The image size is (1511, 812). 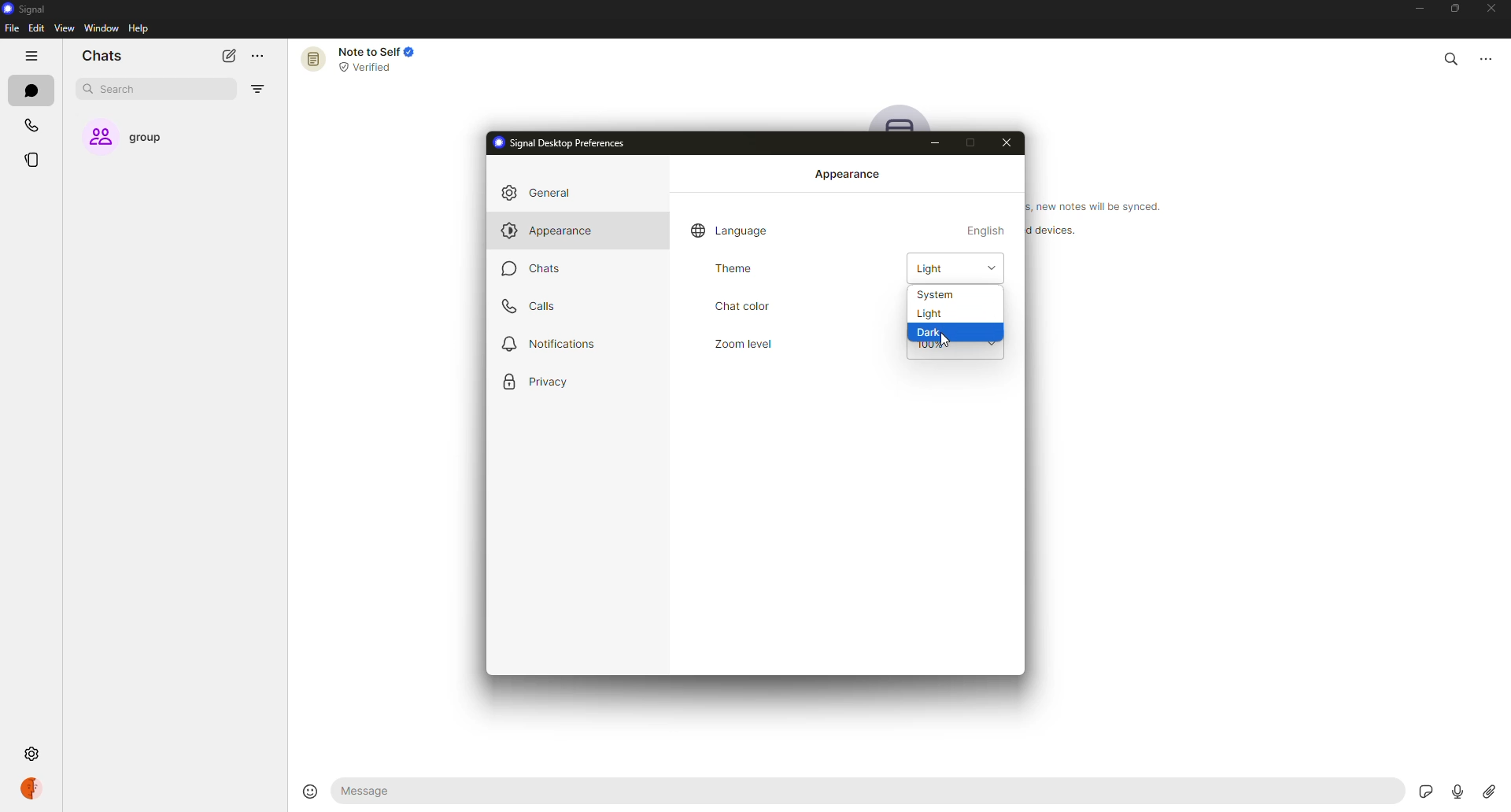 What do you see at coordinates (1451, 9) in the screenshot?
I see `maximize` at bounding box center [1451, 9].